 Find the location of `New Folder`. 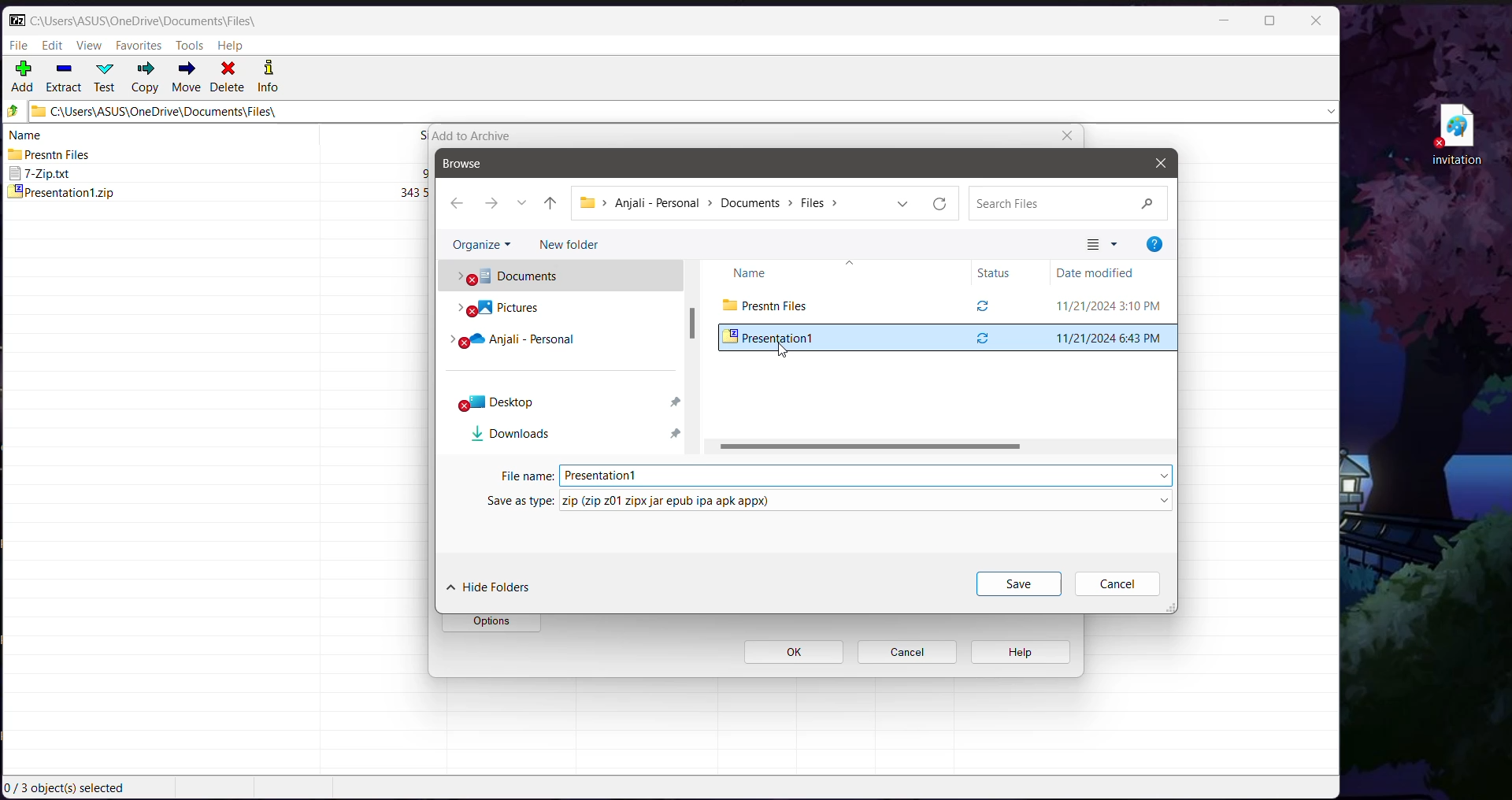

New Folder is located at coordinates (573, 244).